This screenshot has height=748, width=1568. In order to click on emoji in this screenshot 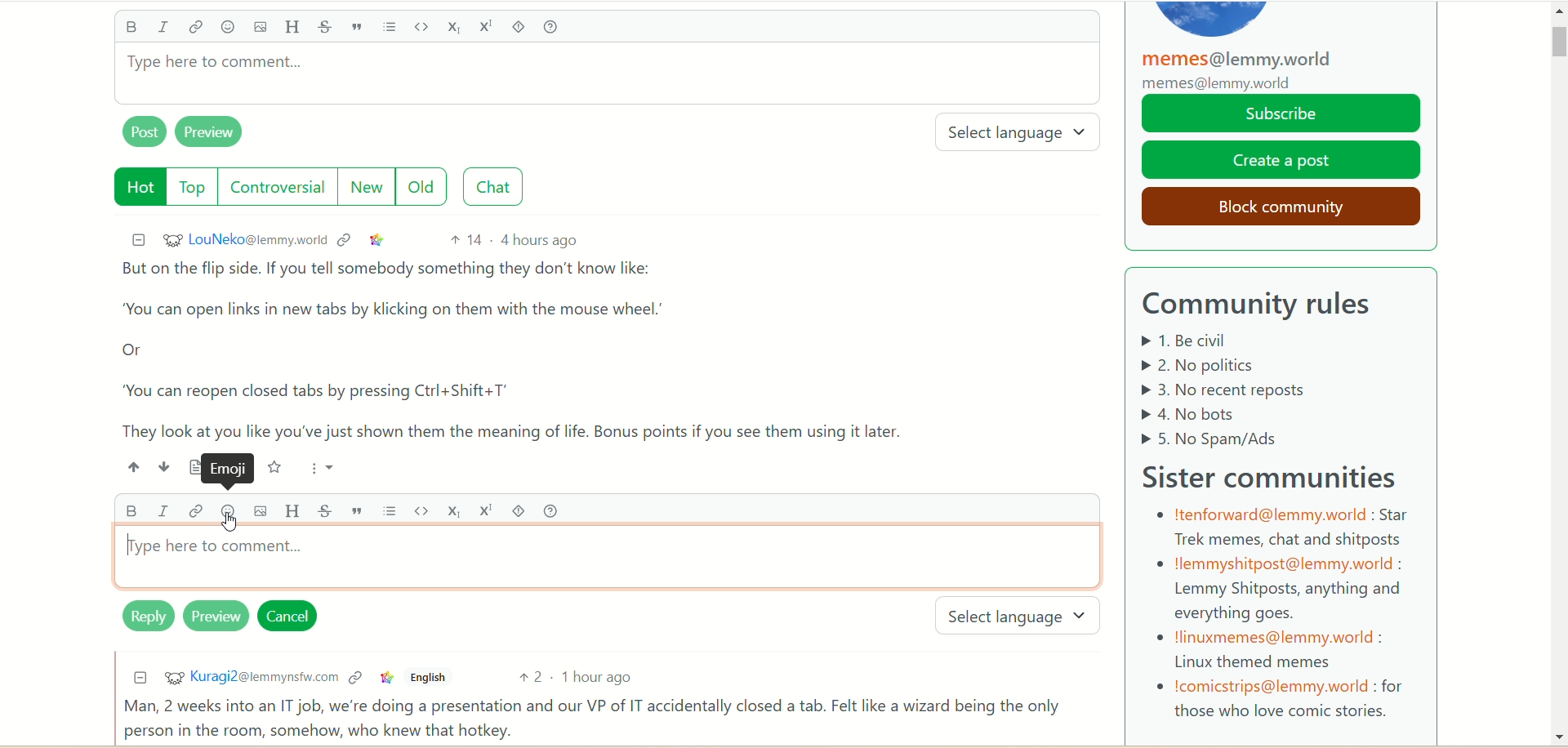, I will do `click(224, 511)`.